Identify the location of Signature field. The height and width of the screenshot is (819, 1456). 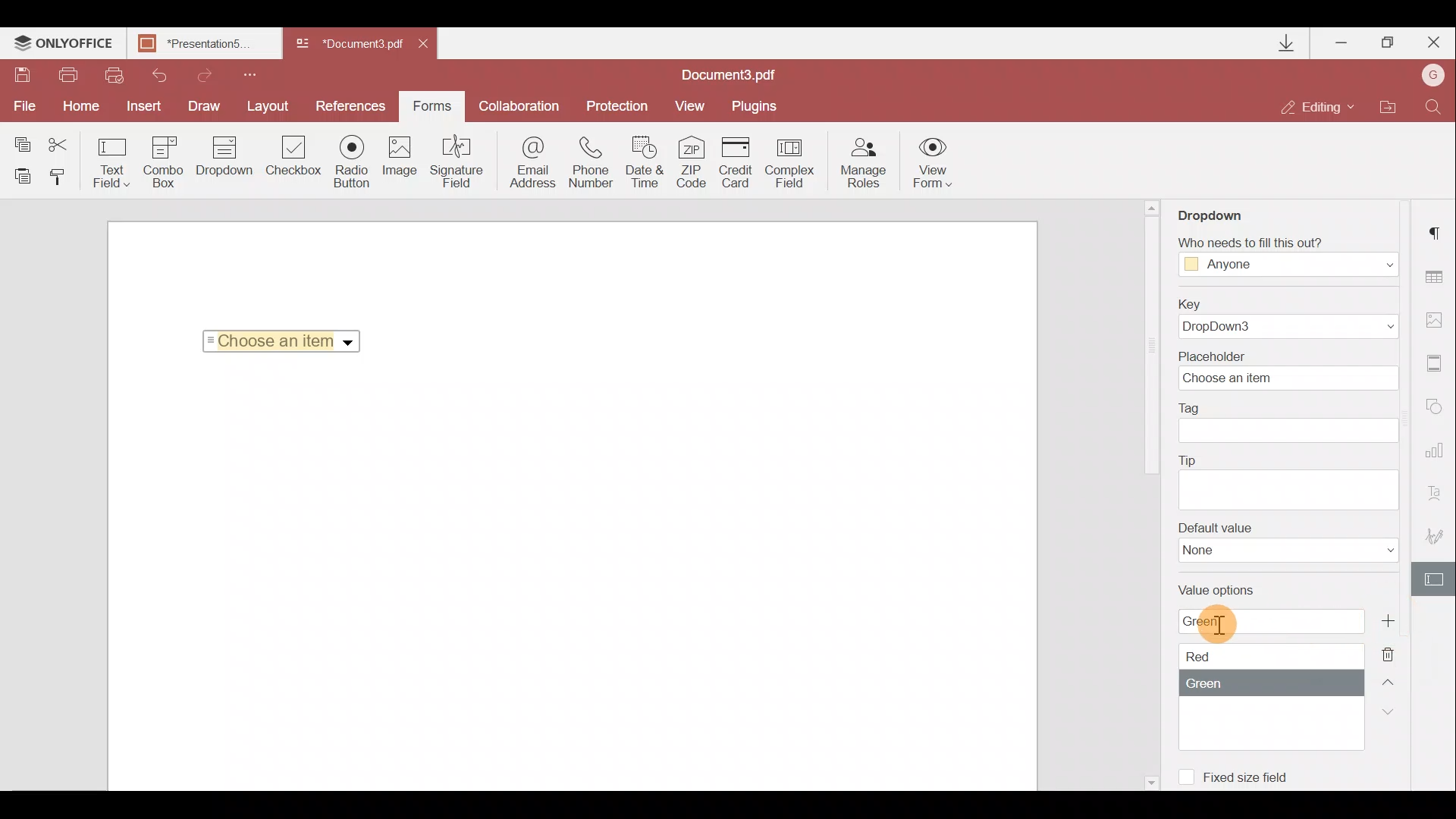
(459, 165).